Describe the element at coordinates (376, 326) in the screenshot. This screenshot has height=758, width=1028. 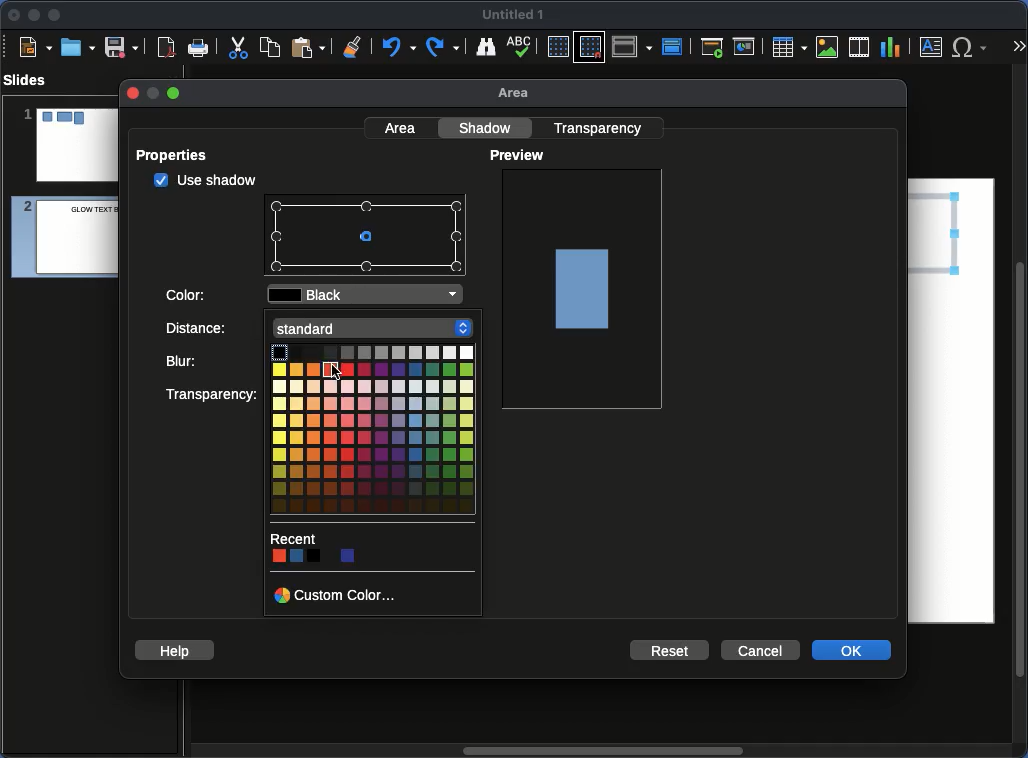
I see `Standard` at that location.